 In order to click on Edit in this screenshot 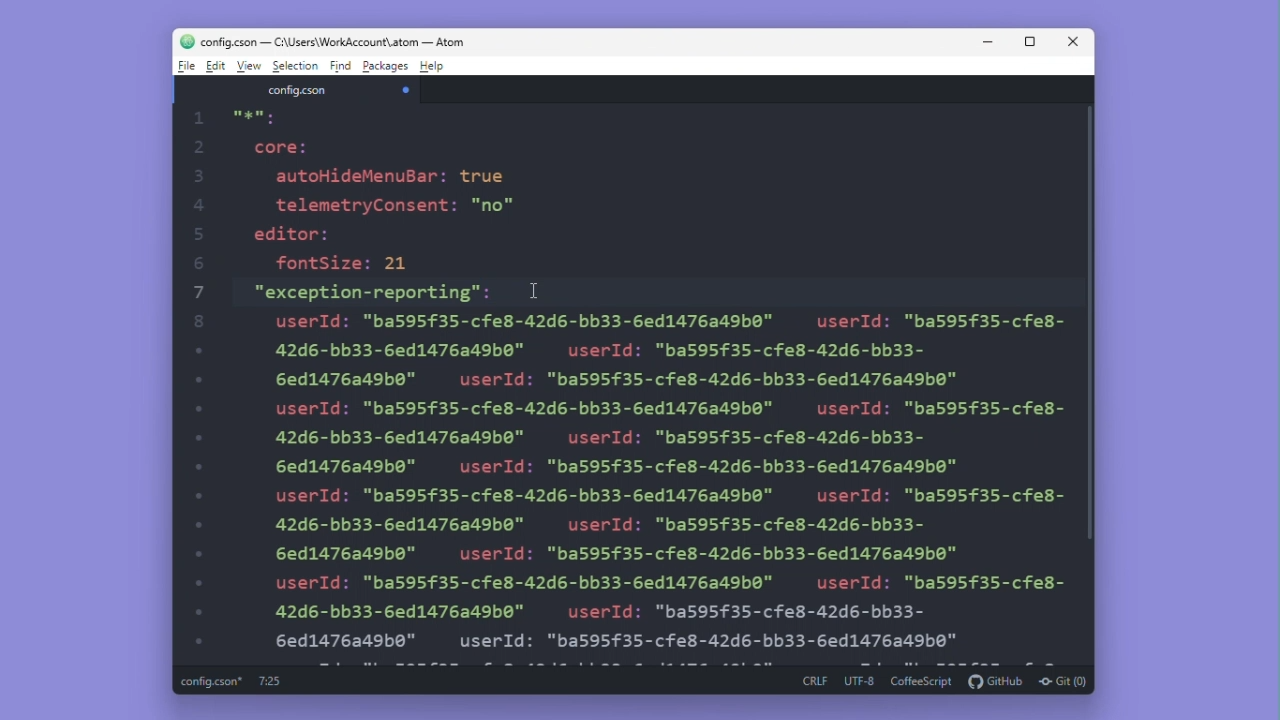, I will do `click(216, 67)`.